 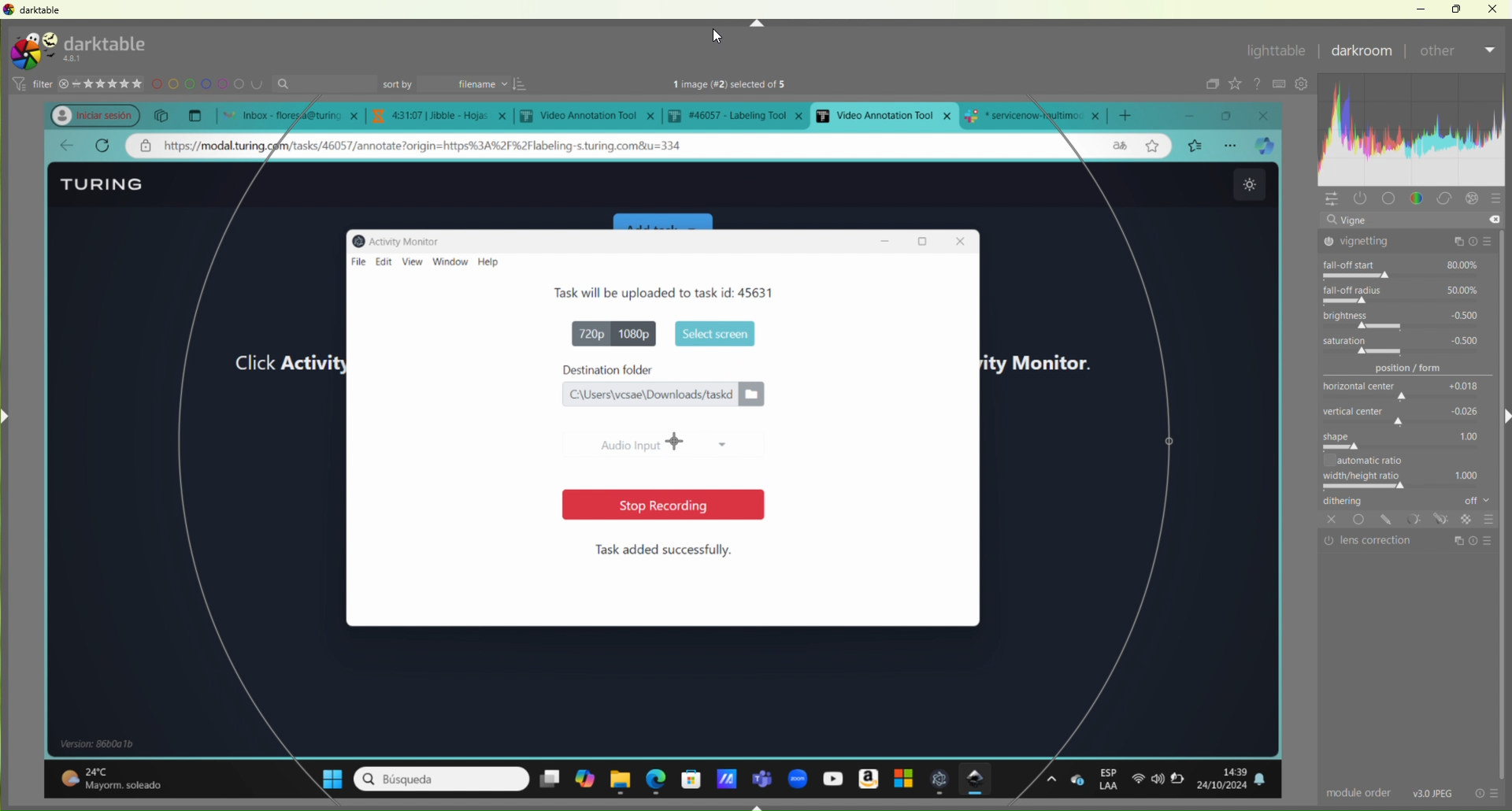 What do you see at coordinates (1151, 148) in the screenshot?
I see `star page` at bounding box center [1151, 148].